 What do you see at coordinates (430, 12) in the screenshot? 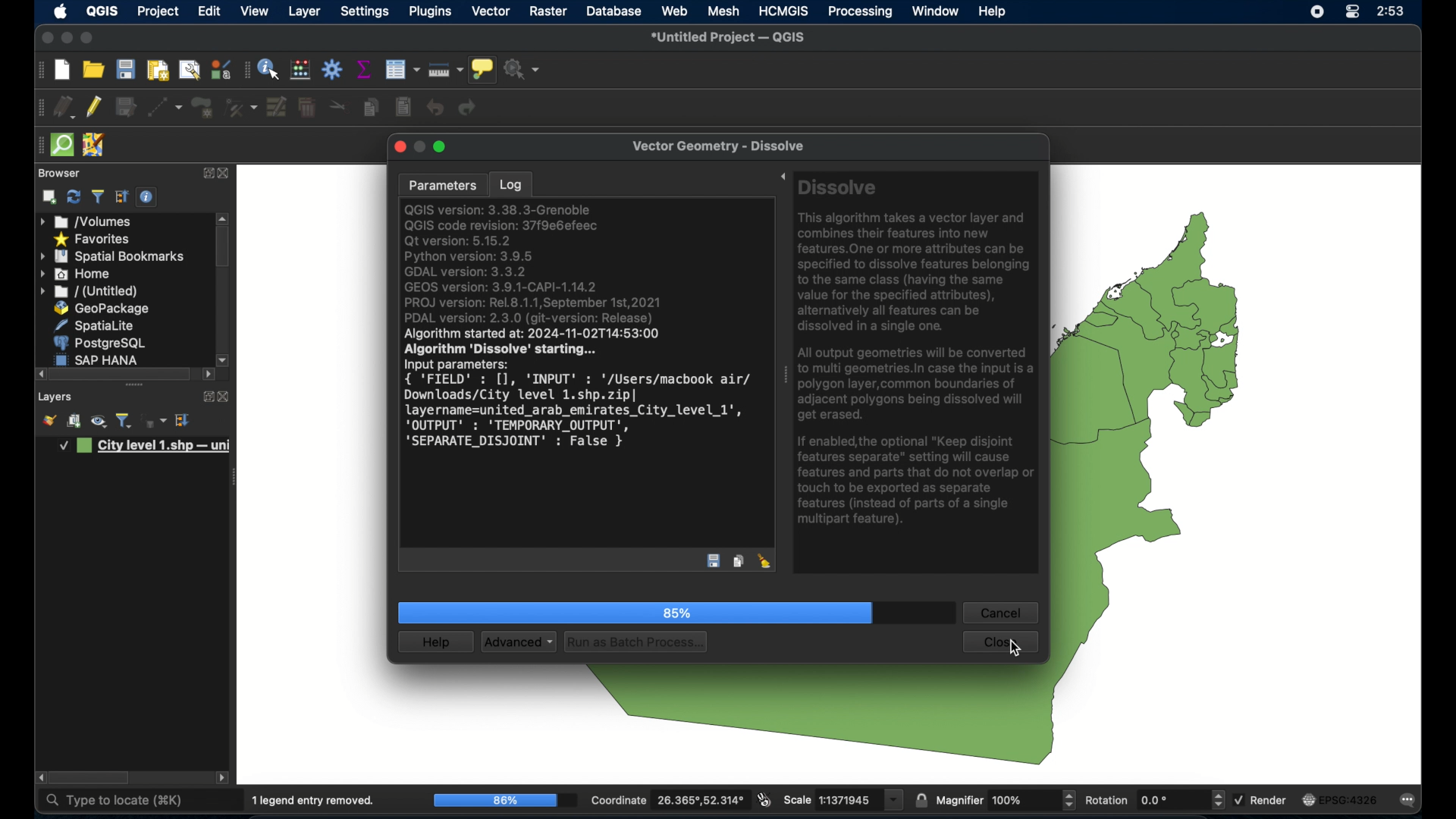
I see `plugins` at bounding box center [430, 12].